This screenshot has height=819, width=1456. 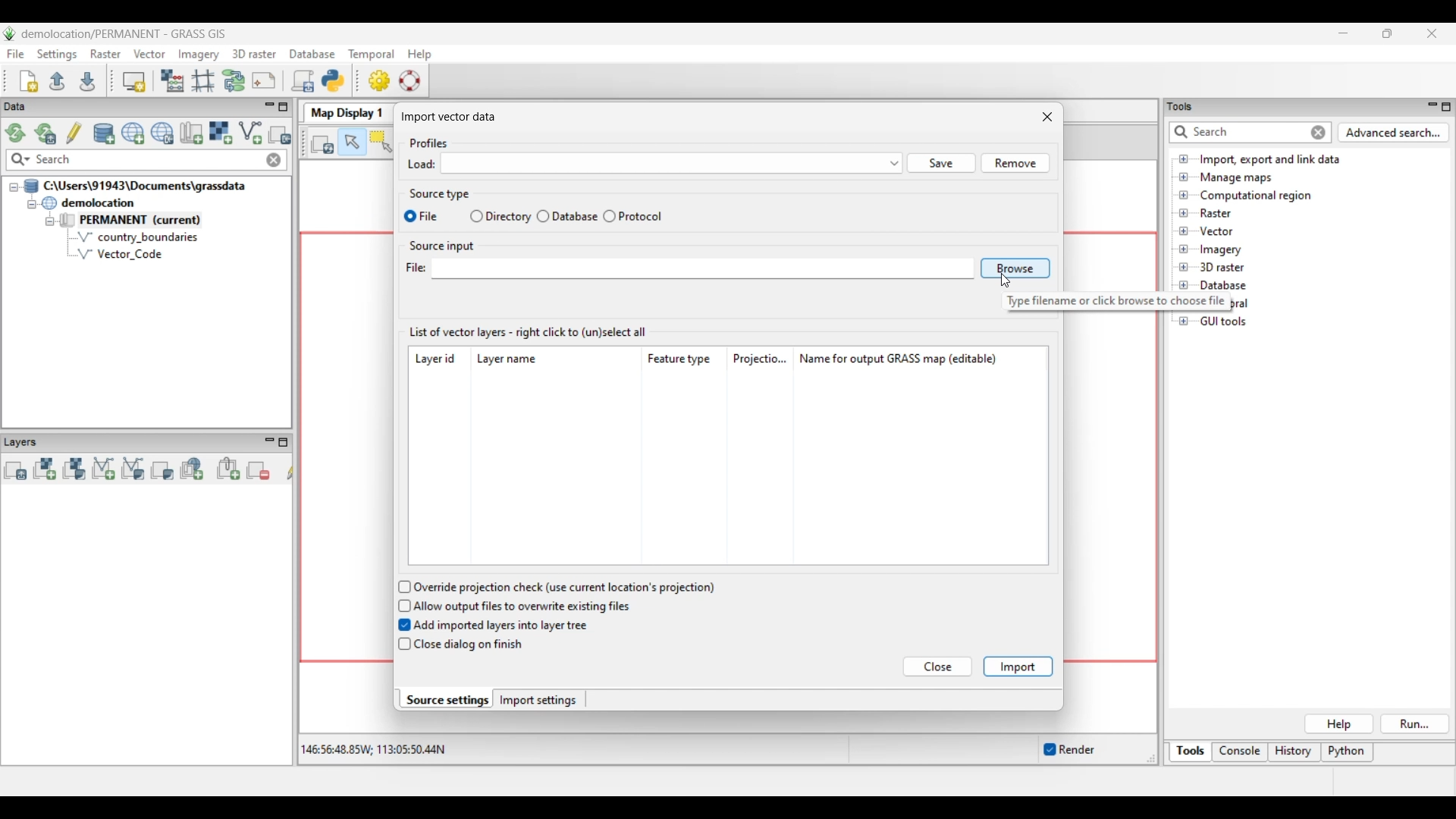 What do you see at coordinates (1446, 107) in the screenshot?
I see `Maximize Tools panel` at bounding box center [1446, 107].